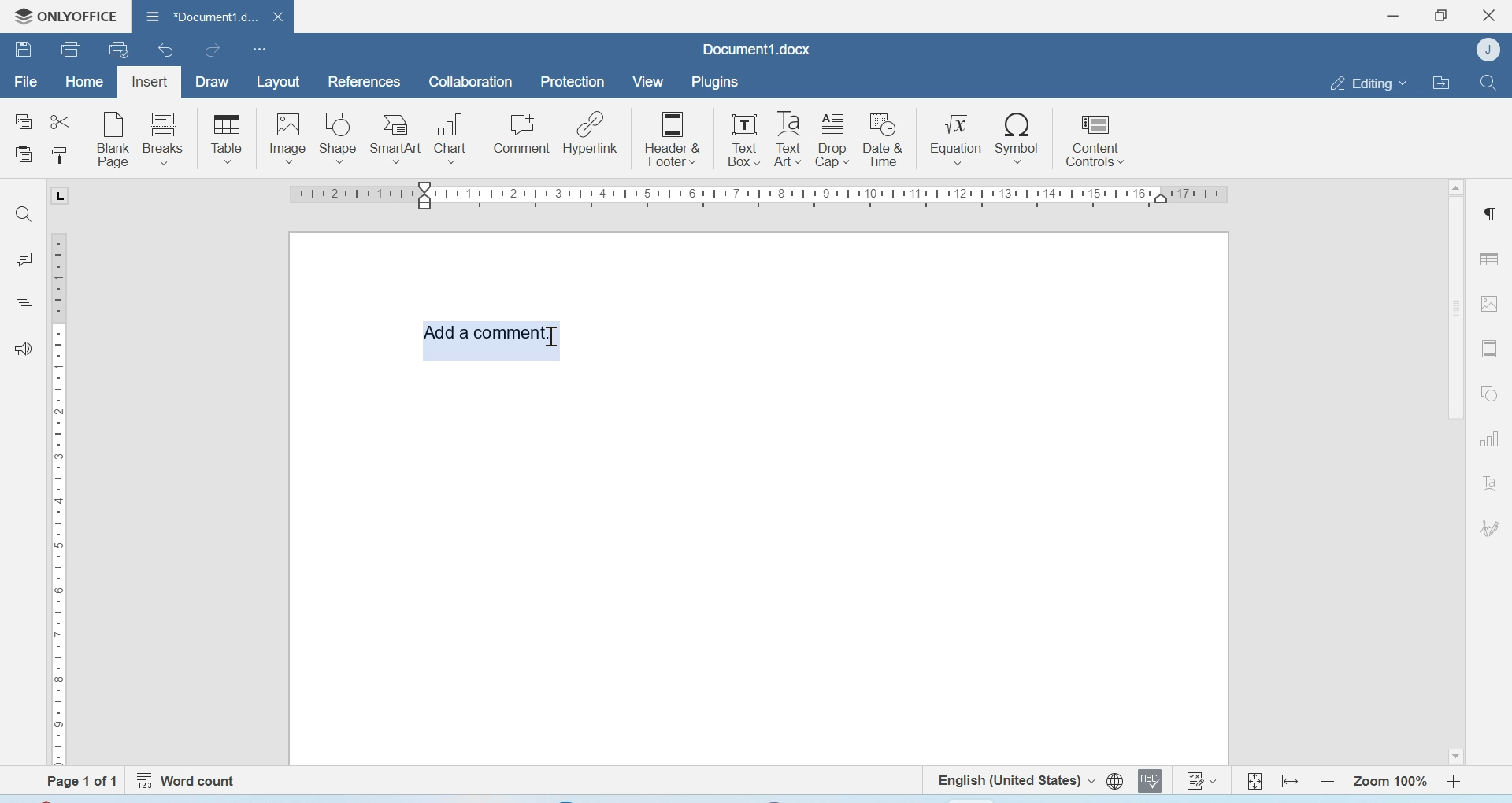 This screenshot has width=1512, height=803. I want to click on Set text language, so click(1014, 779).